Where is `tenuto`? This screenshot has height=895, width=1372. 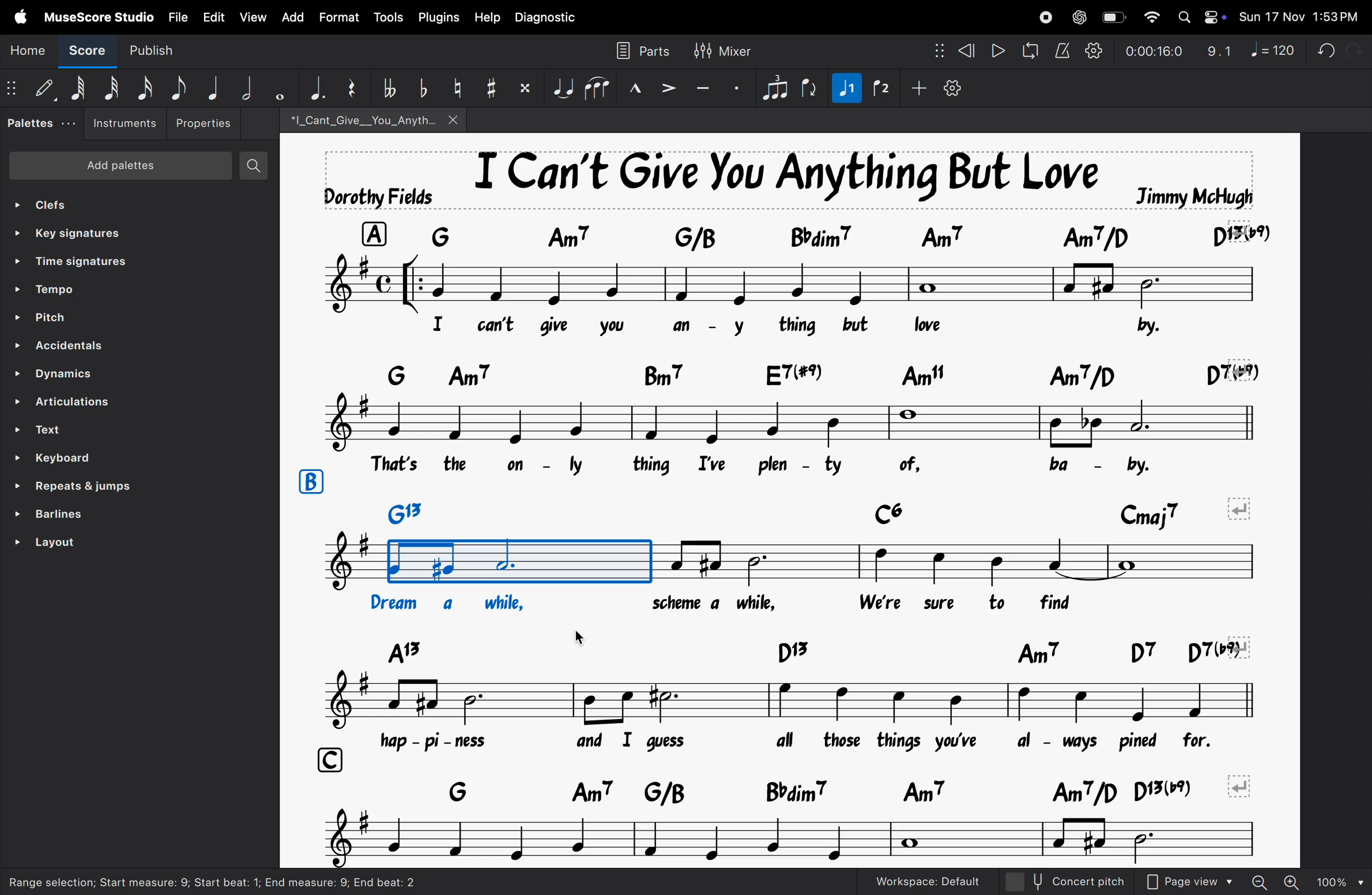 tenuto is located at coordinates (705, 85).